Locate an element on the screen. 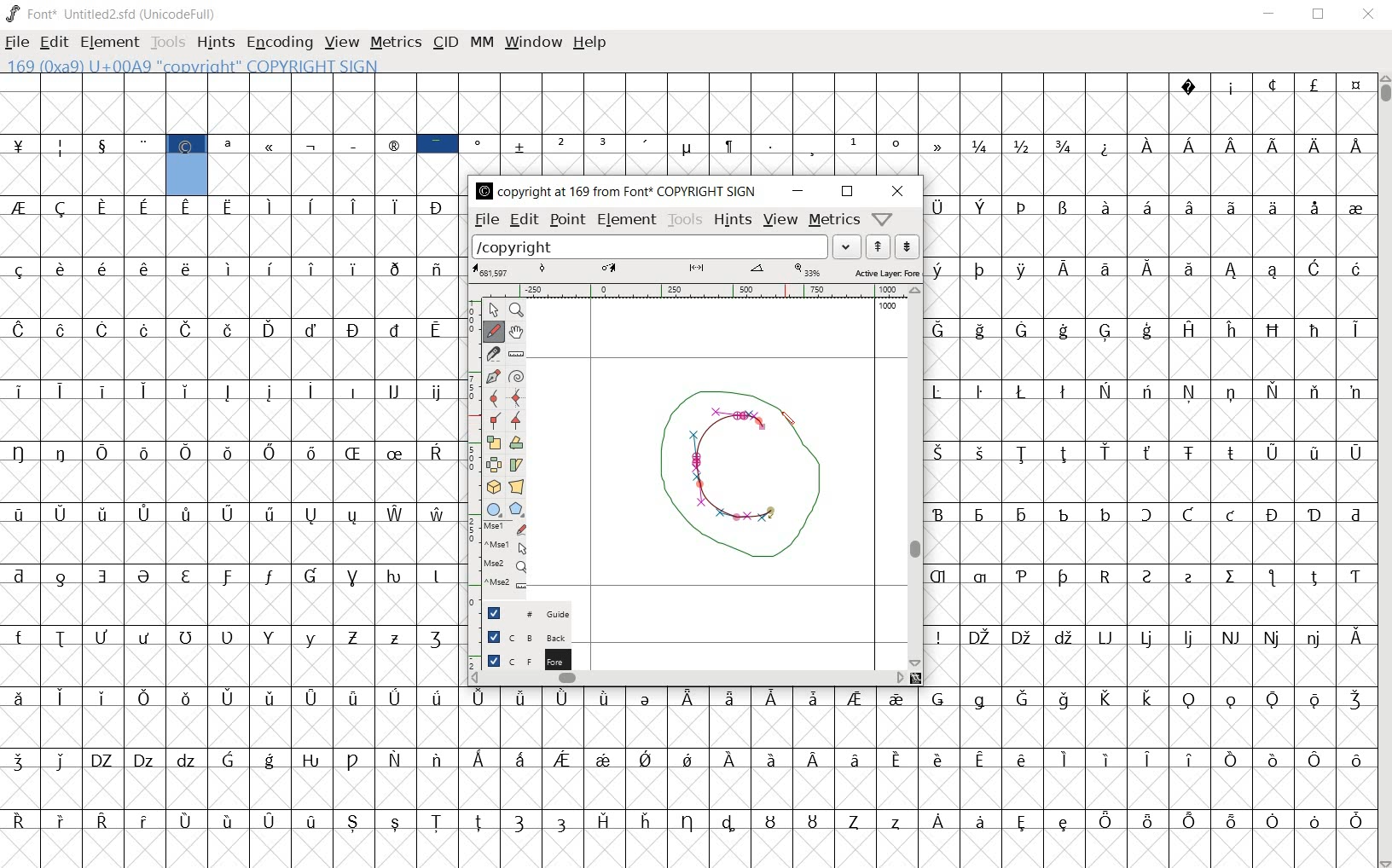 Image resolution: width=1392 pixels, height=868 pixels. draw a freehand curve is located at coordinates (493, 331).